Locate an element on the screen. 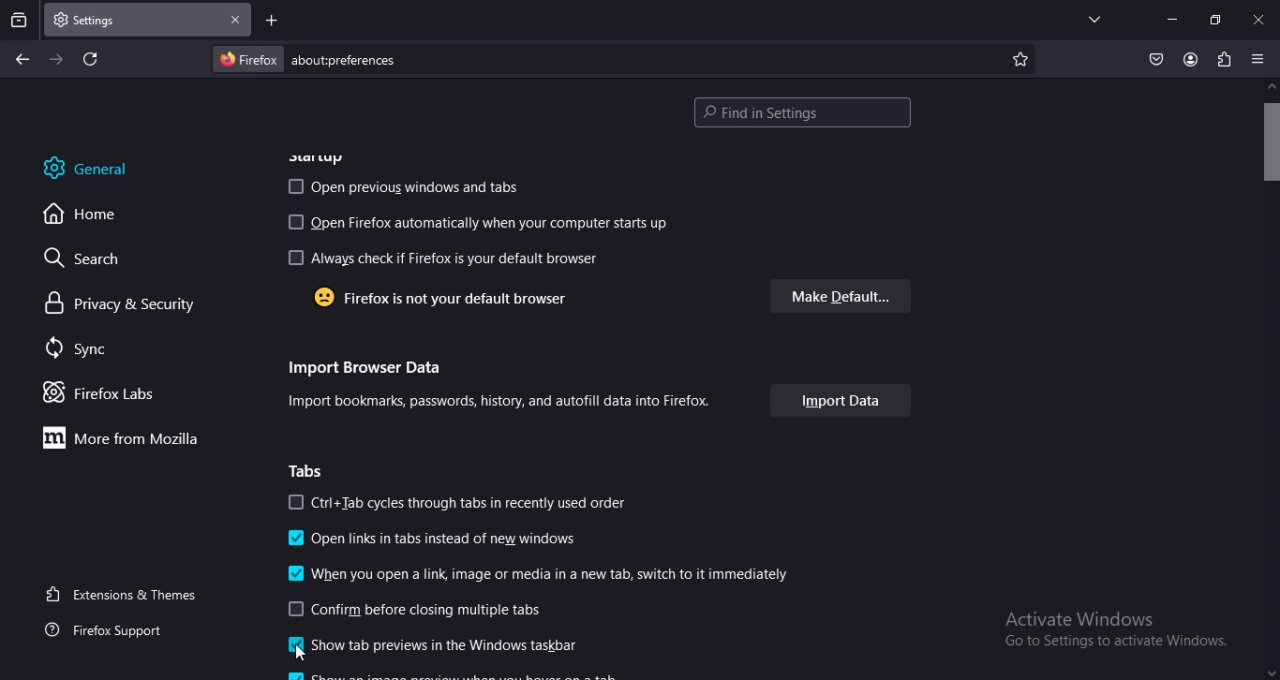 This screenshot has height=680, width=1280. minmize is located at coordinates (1170, 18).